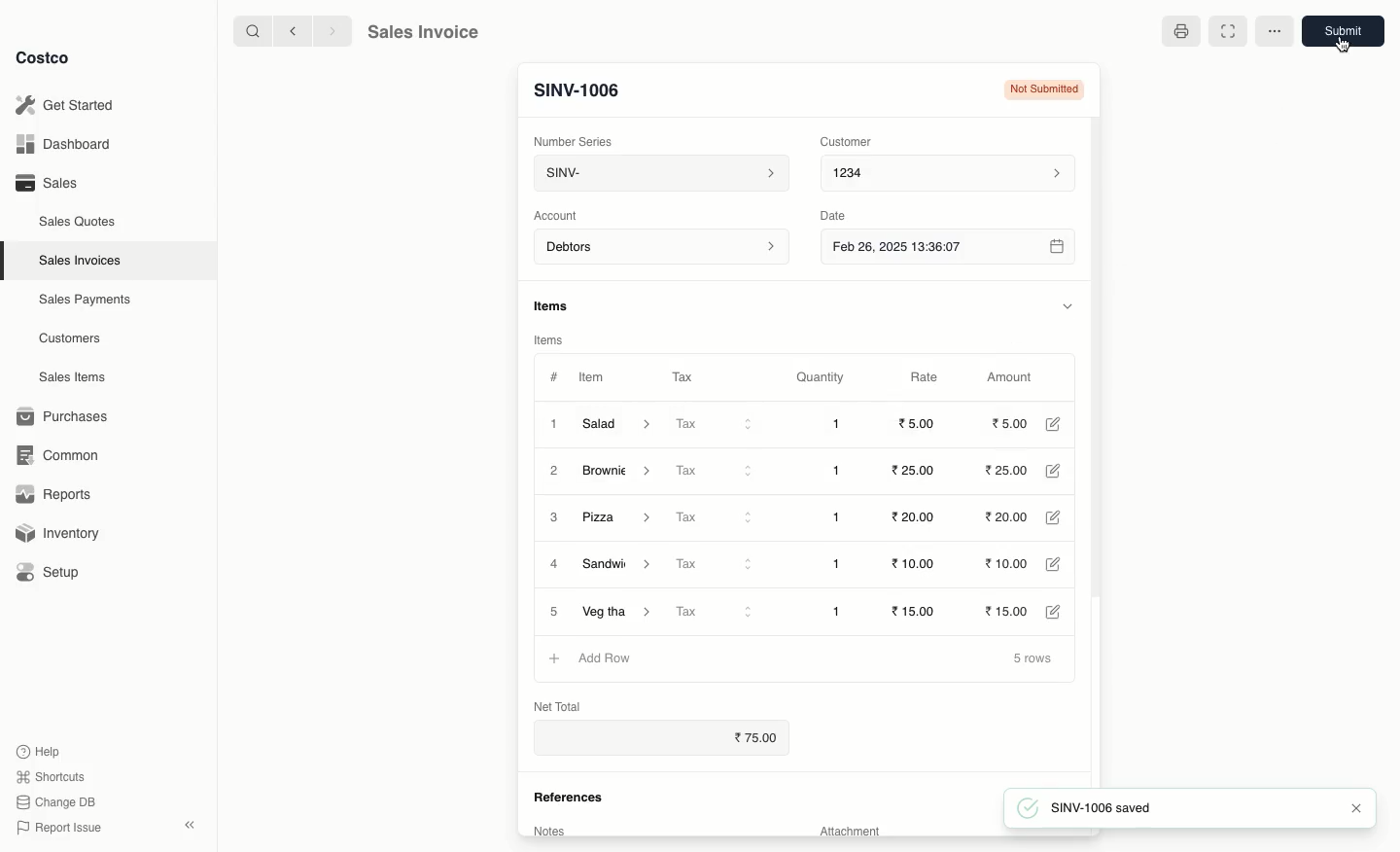 The height and width of the screenshot is (852, 1400). I want to click on SINV-1006 saved, so click(1106, 809).